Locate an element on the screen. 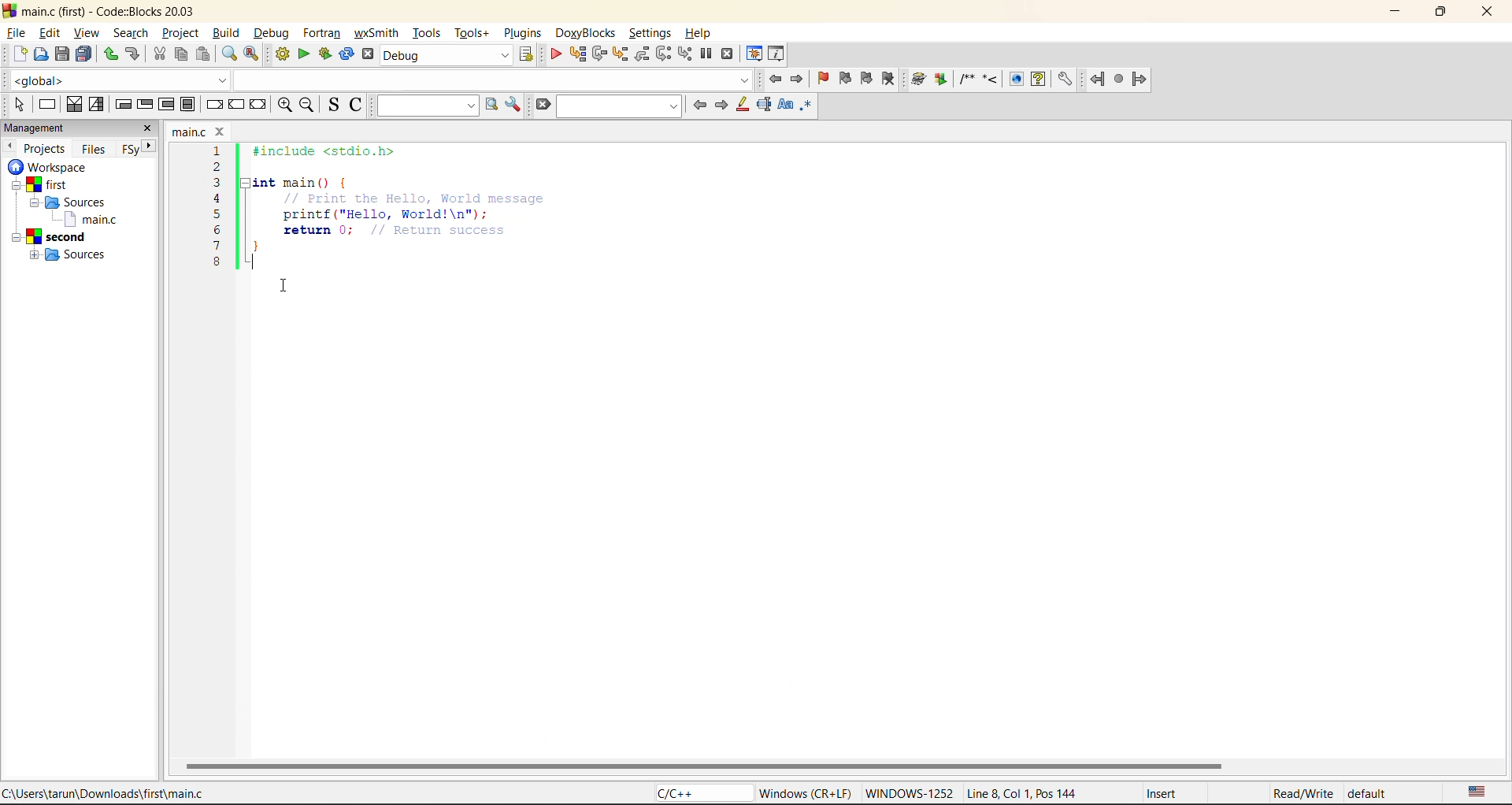  break debugger is located at coordinates (706, 54).